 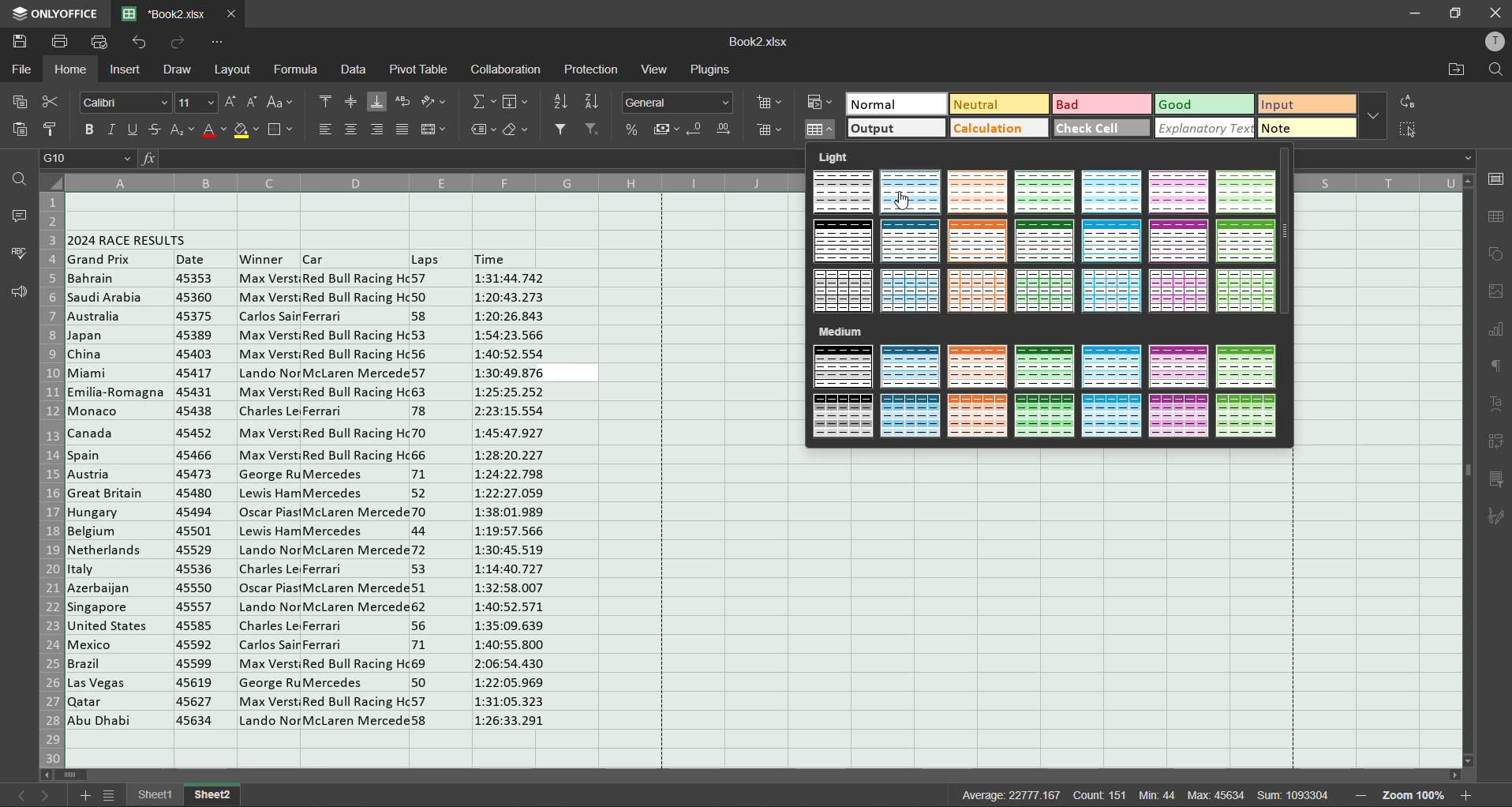 I want to click on table style light 6, so click(x=1181, y=193).